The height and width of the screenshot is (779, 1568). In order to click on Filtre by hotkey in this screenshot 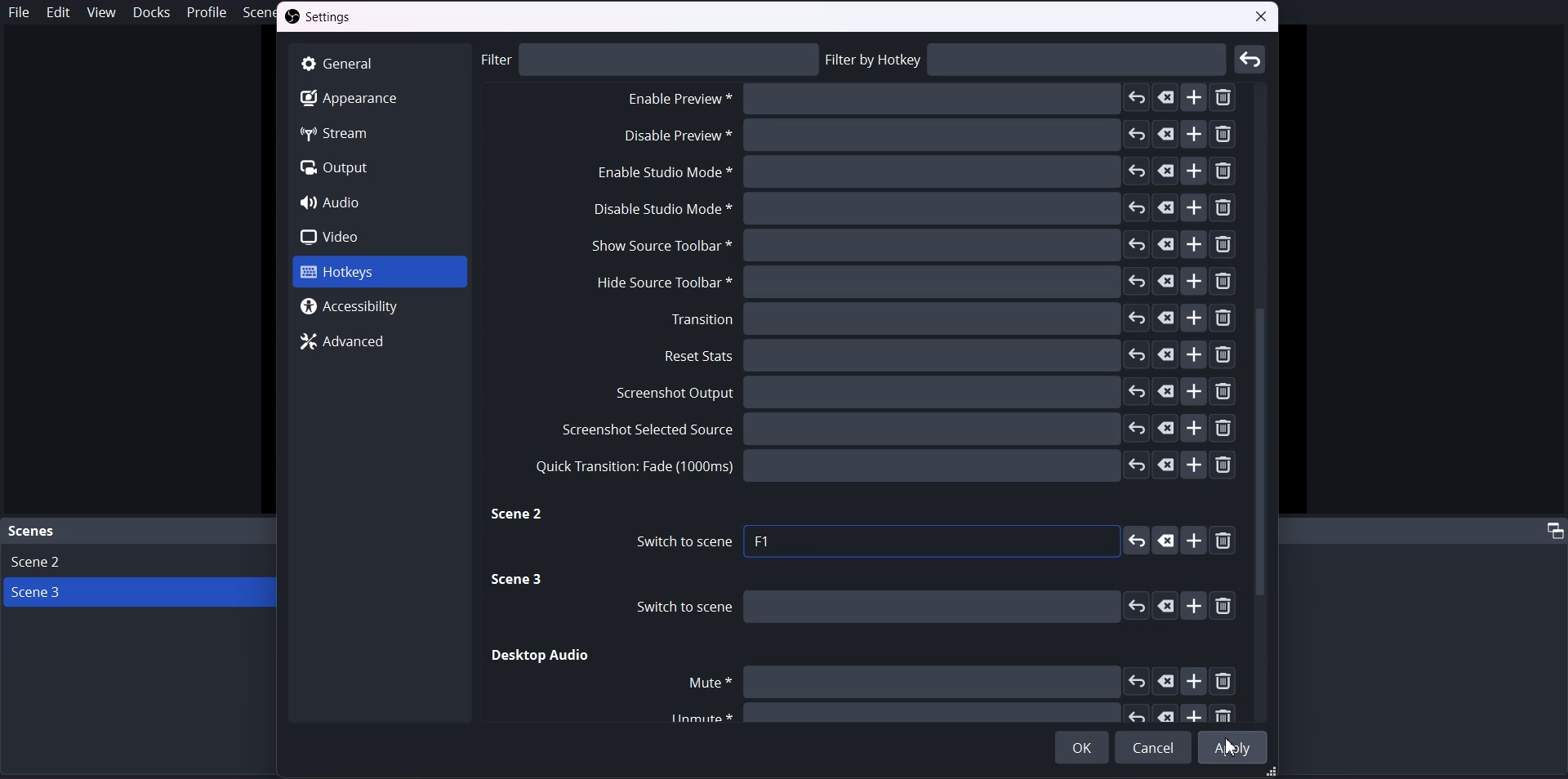, I will do `click(1027, 60)`.